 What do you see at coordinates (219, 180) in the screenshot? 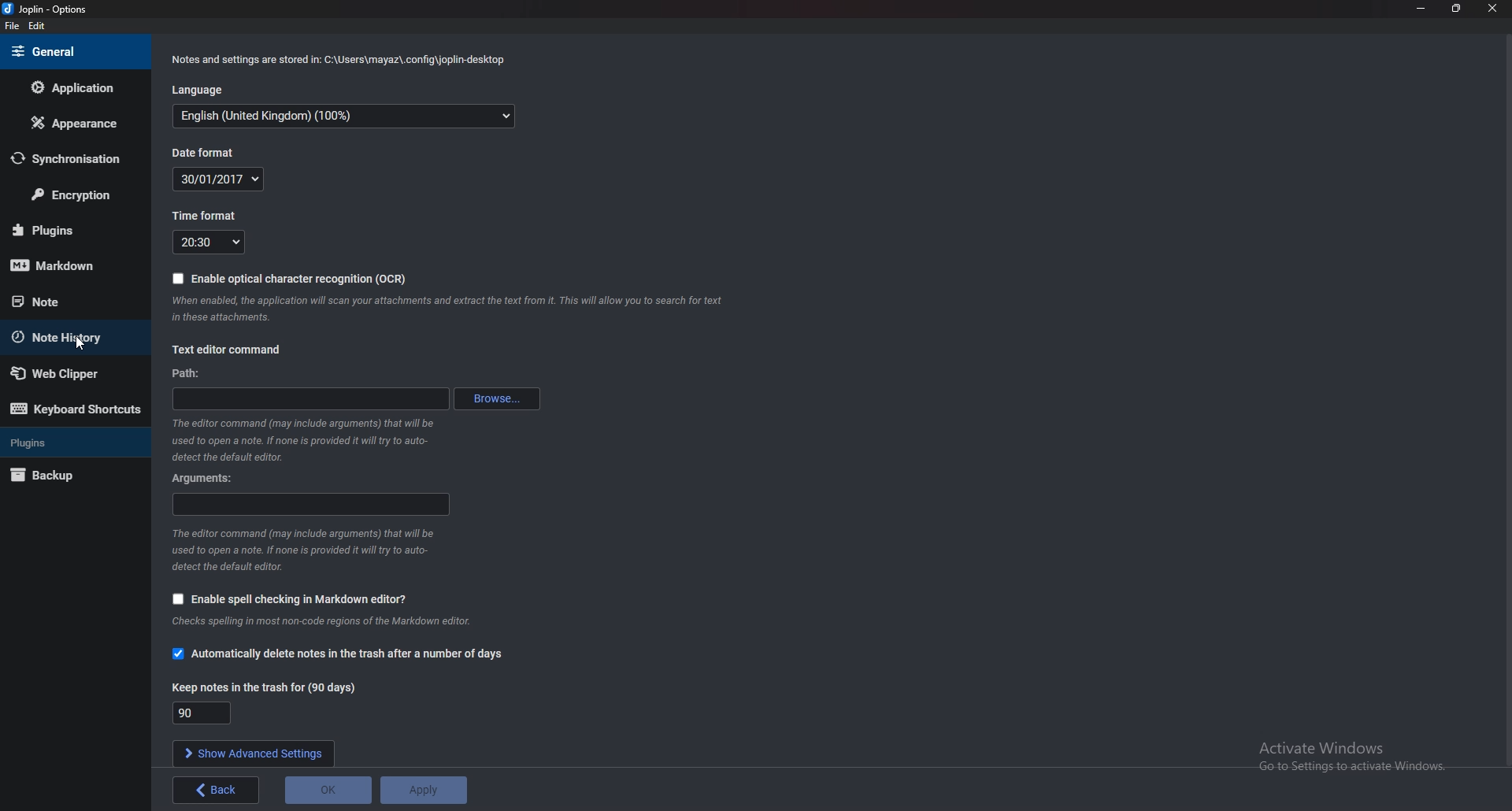
I see `30/01/2017` at bounding box center [219, 180].